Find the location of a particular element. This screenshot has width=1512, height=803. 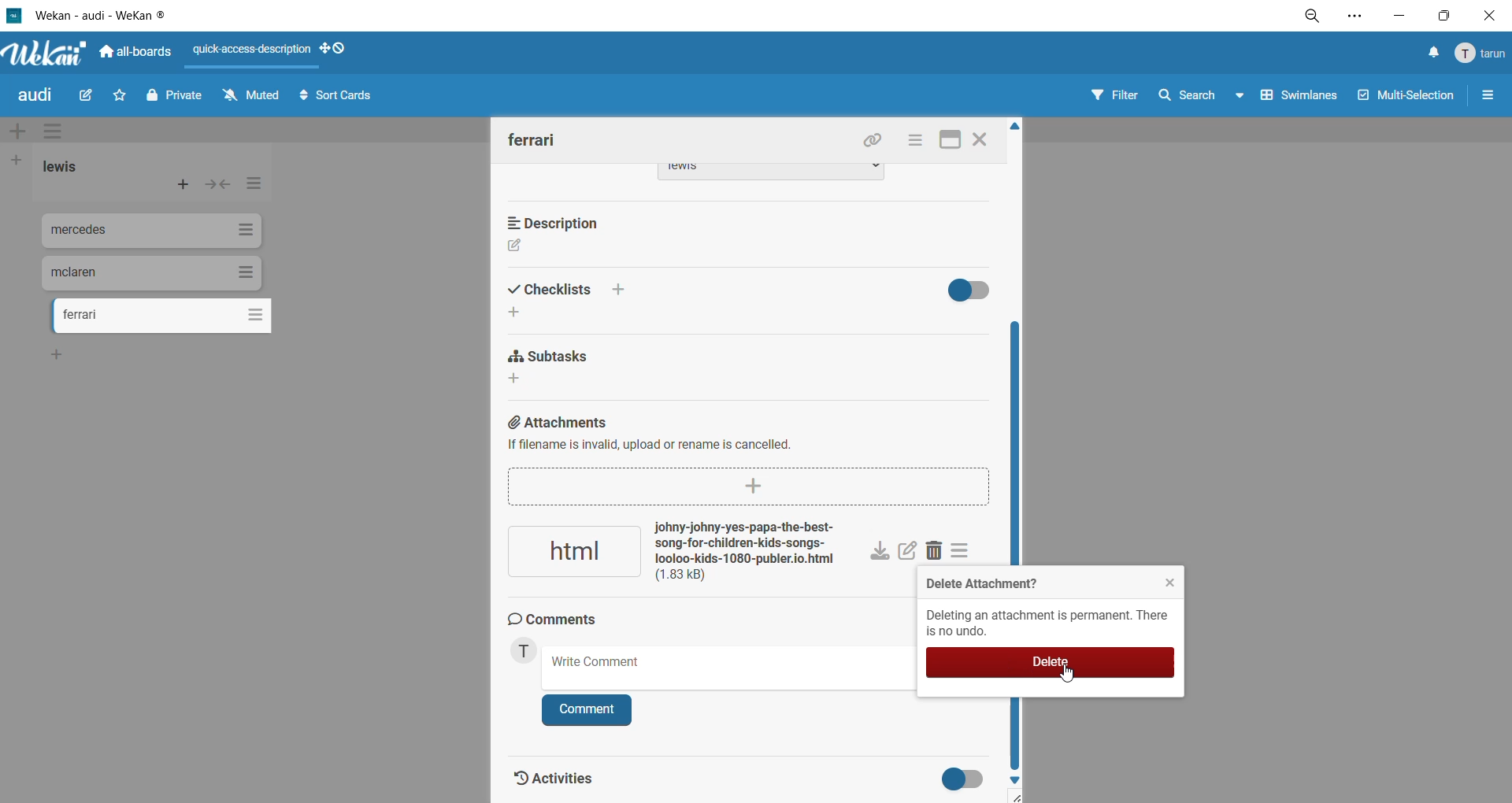

board title is located at coordinates (35, 97).